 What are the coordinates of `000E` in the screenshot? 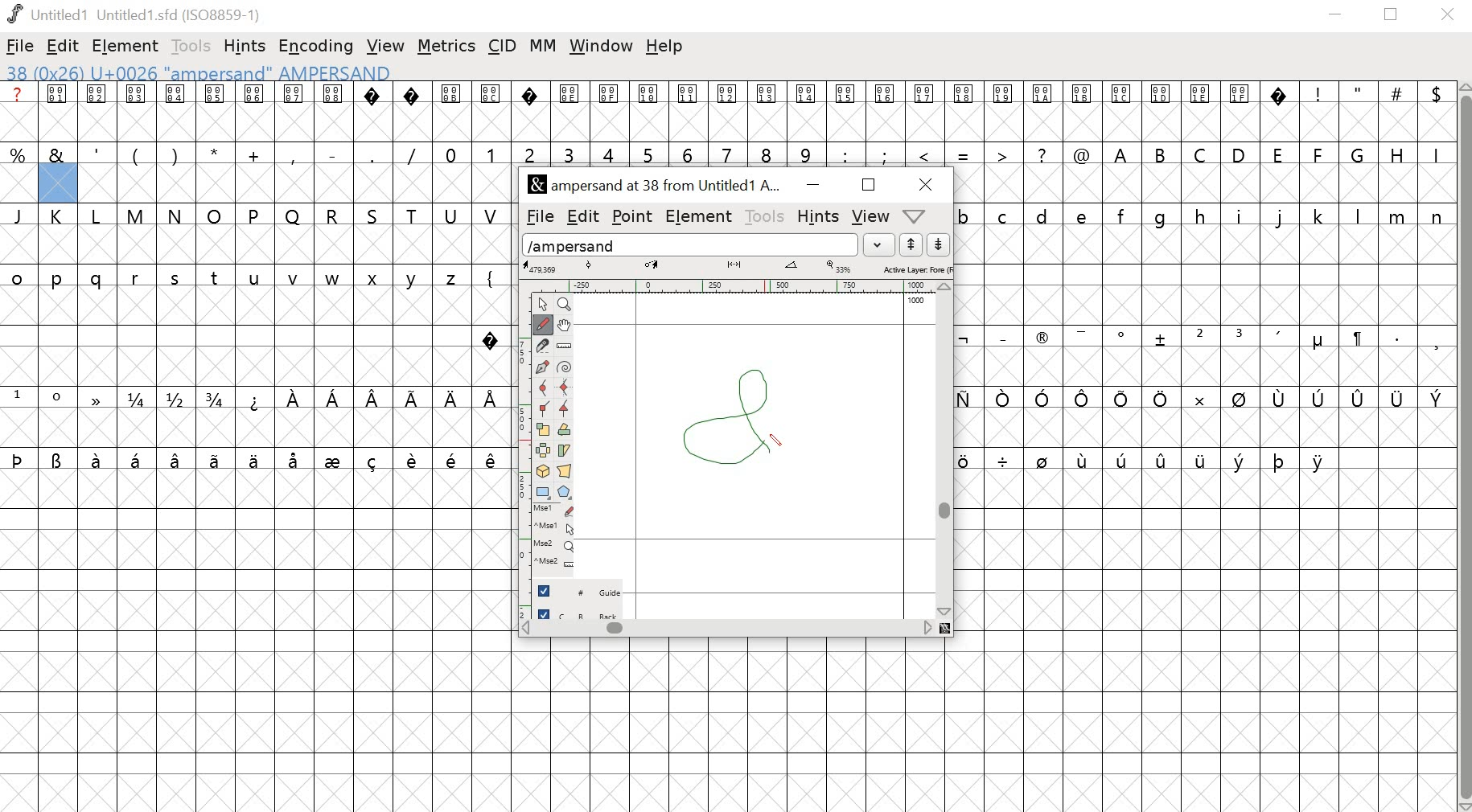 It's located at (569, 112).